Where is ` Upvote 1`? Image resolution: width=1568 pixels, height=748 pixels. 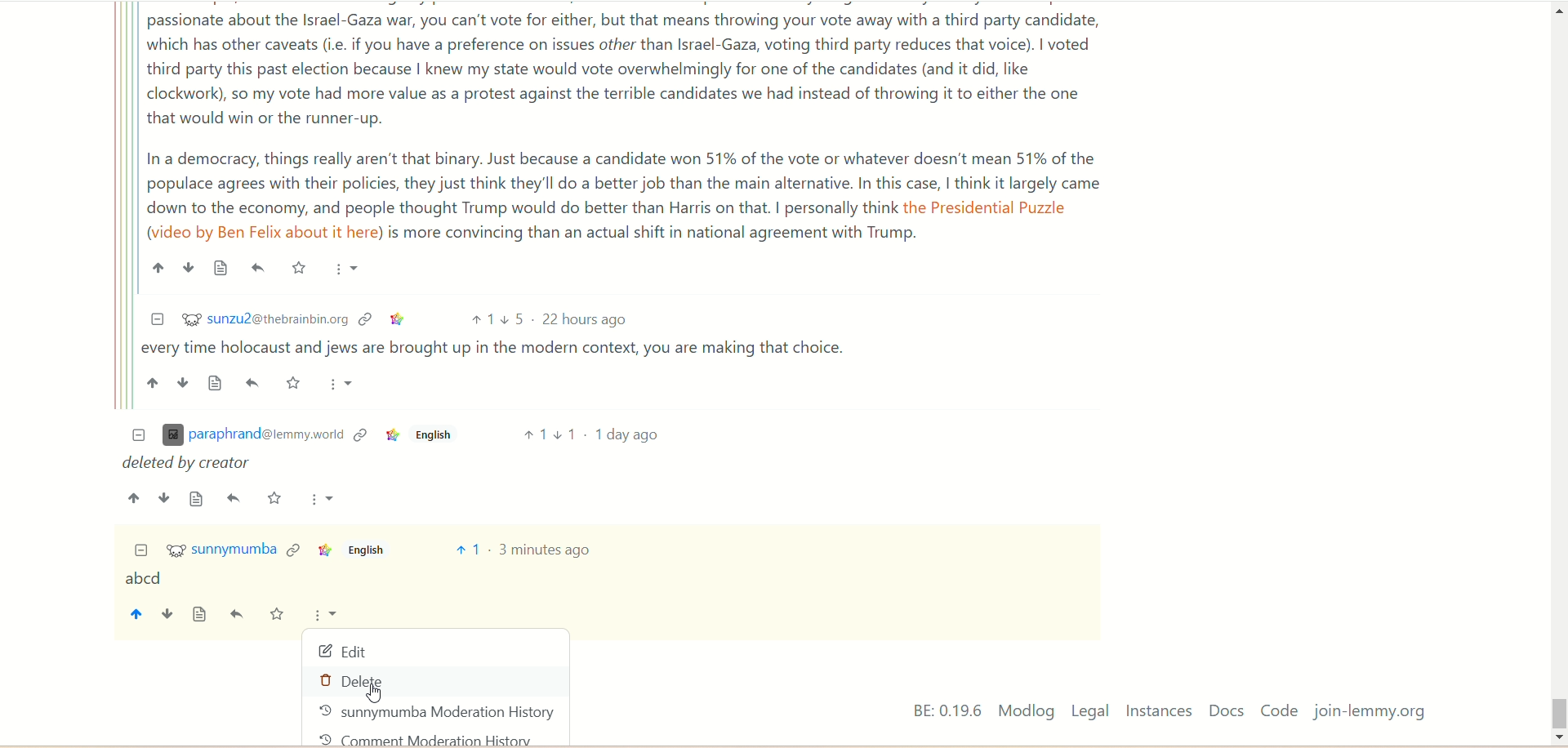
 Upvote 1 is located at coordinates (533, 434).